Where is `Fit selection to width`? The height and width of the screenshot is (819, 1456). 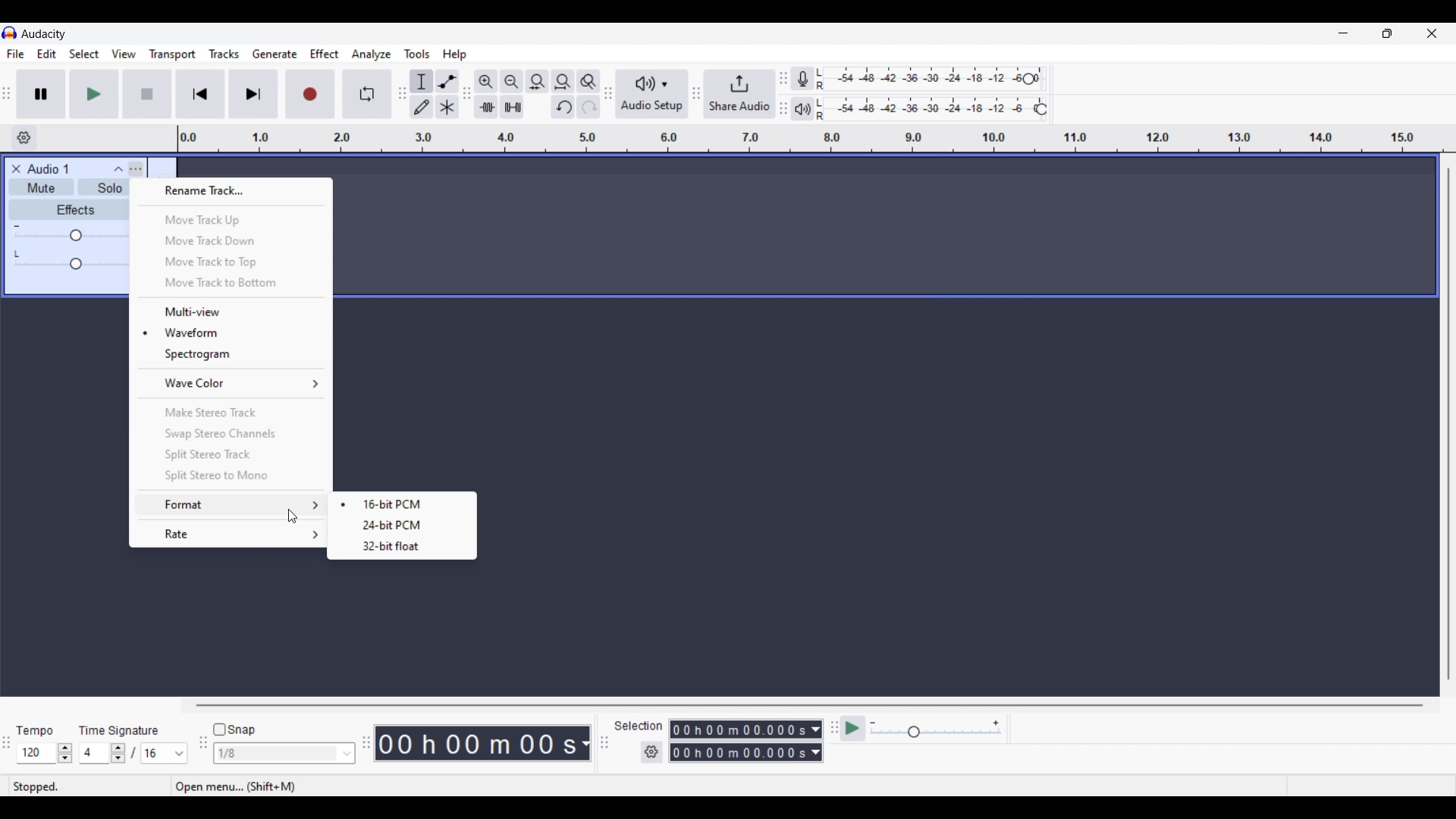 Fit selection to width is located at coordinates (537, 82).